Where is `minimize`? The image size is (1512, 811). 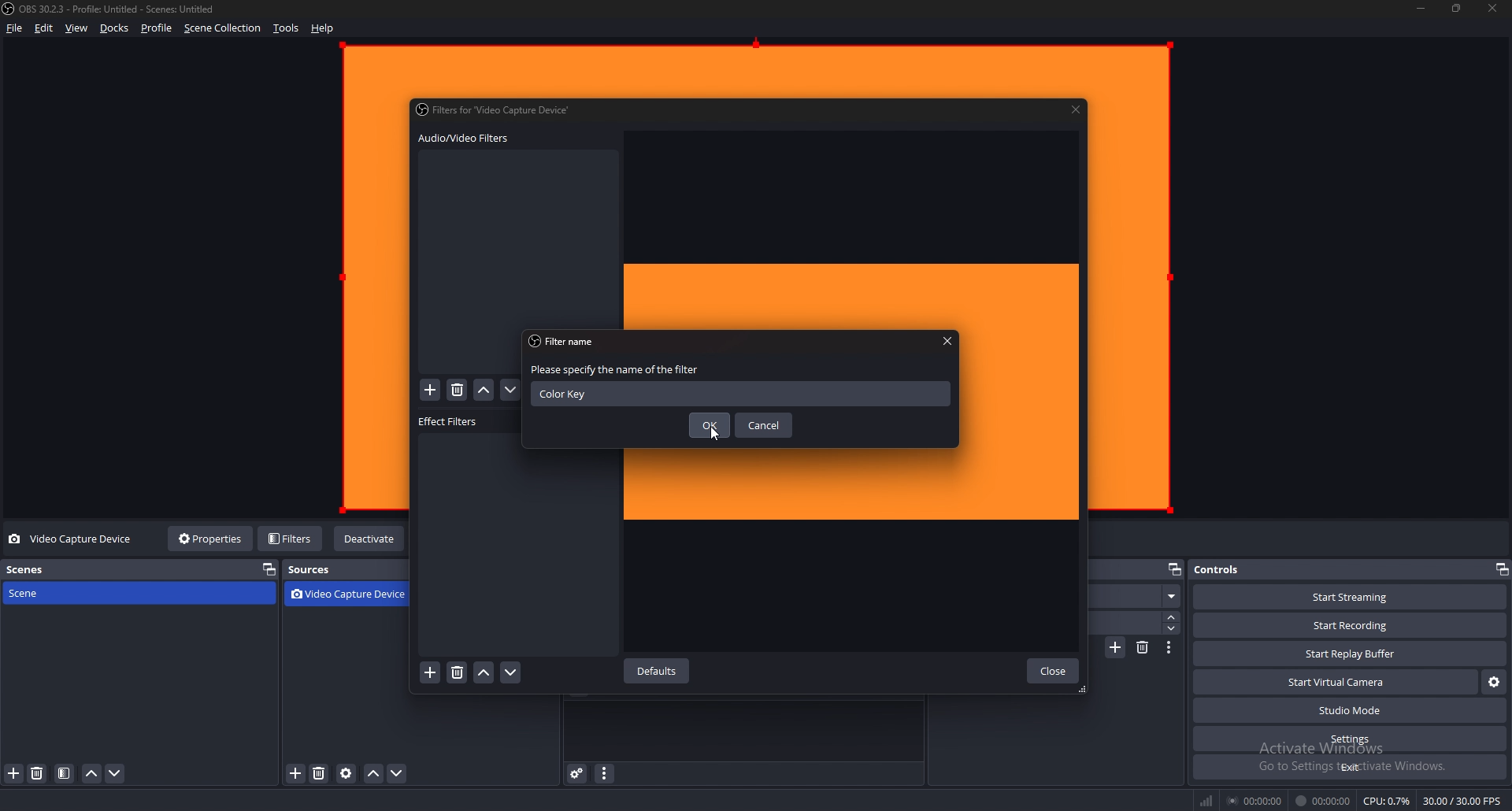
minimize is located at coordinates (1421, 9).